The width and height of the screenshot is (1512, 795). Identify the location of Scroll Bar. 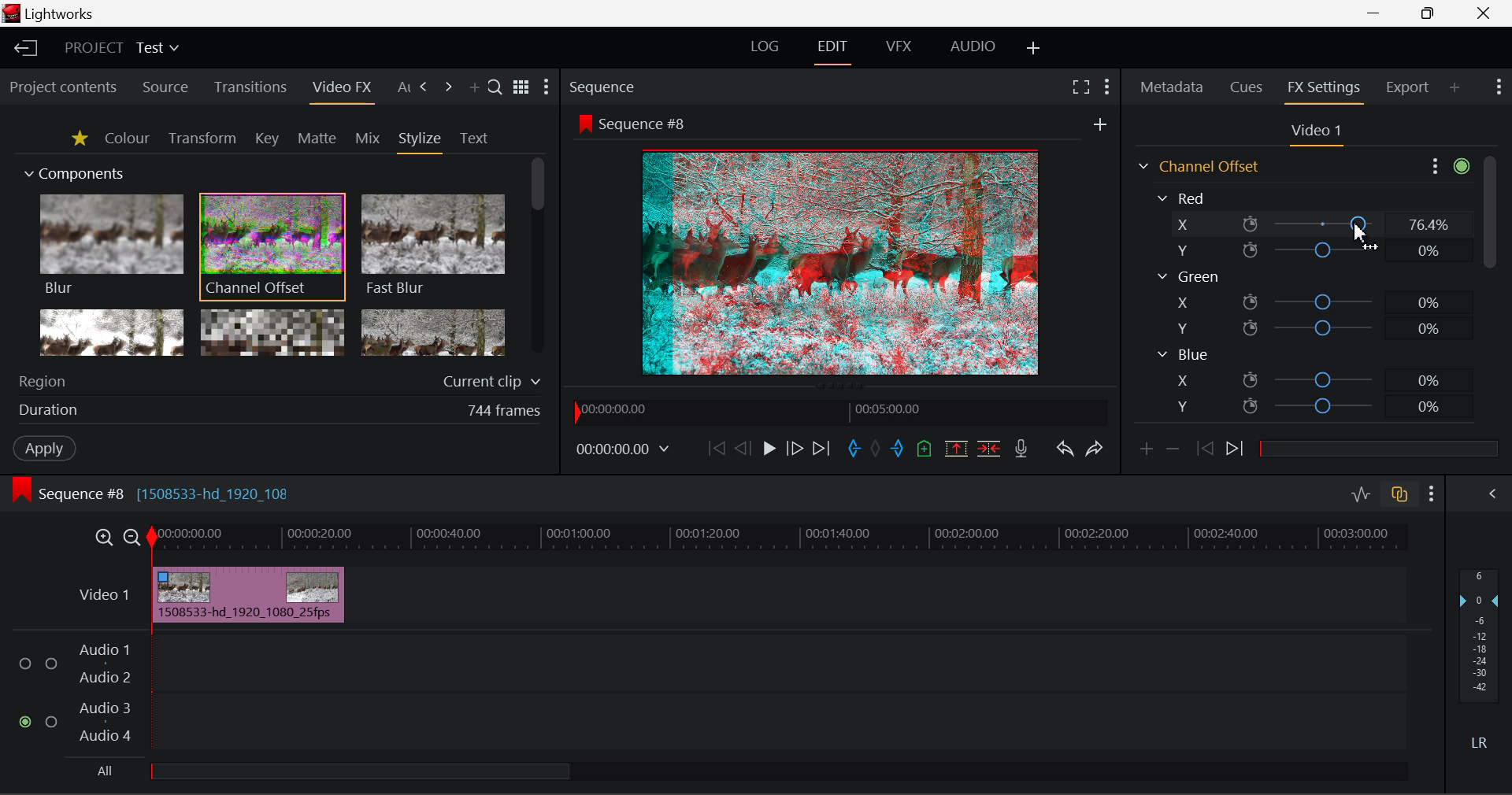
(1489, 294).